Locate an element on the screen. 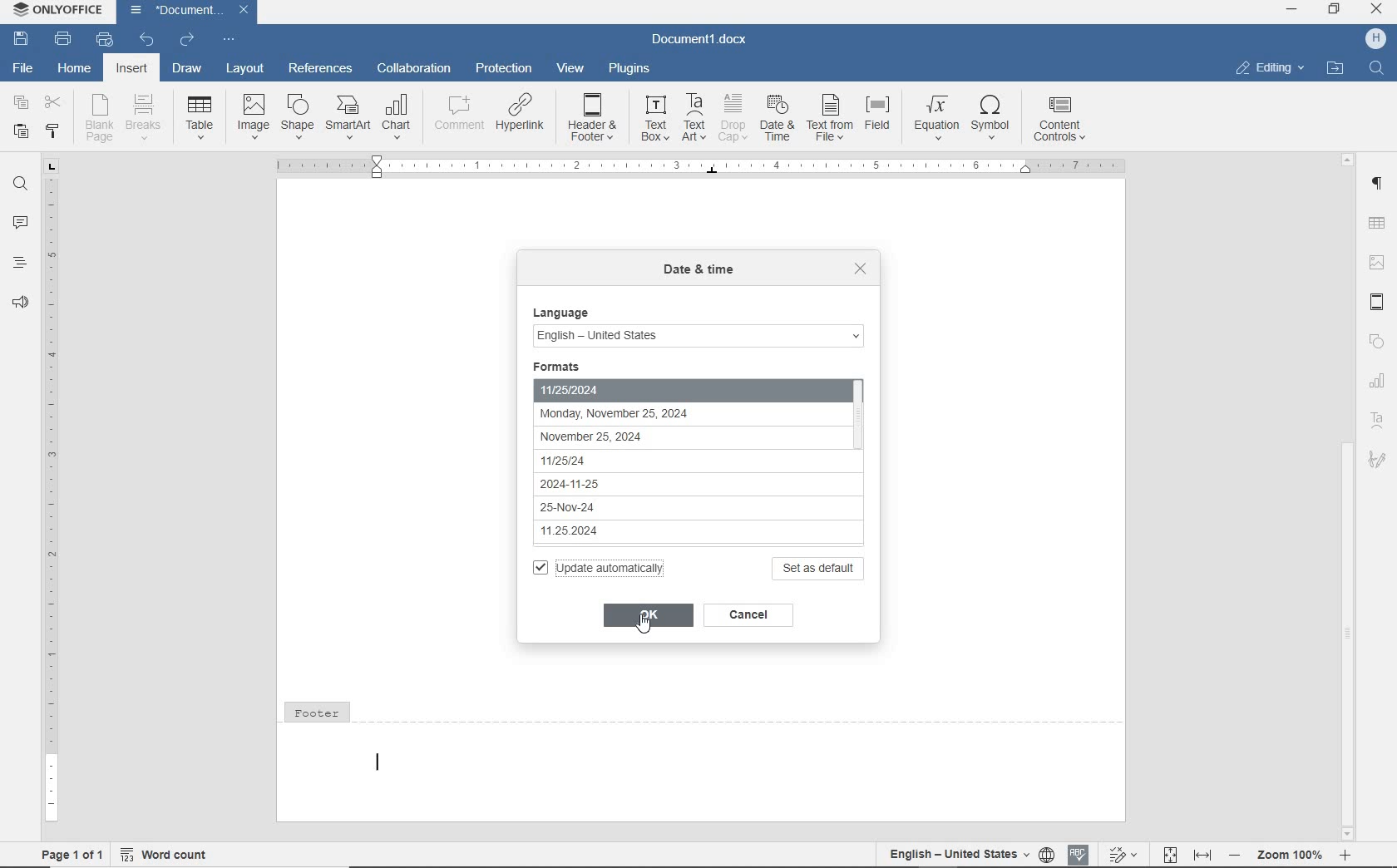  date & time is located at coordinates (778, 119).